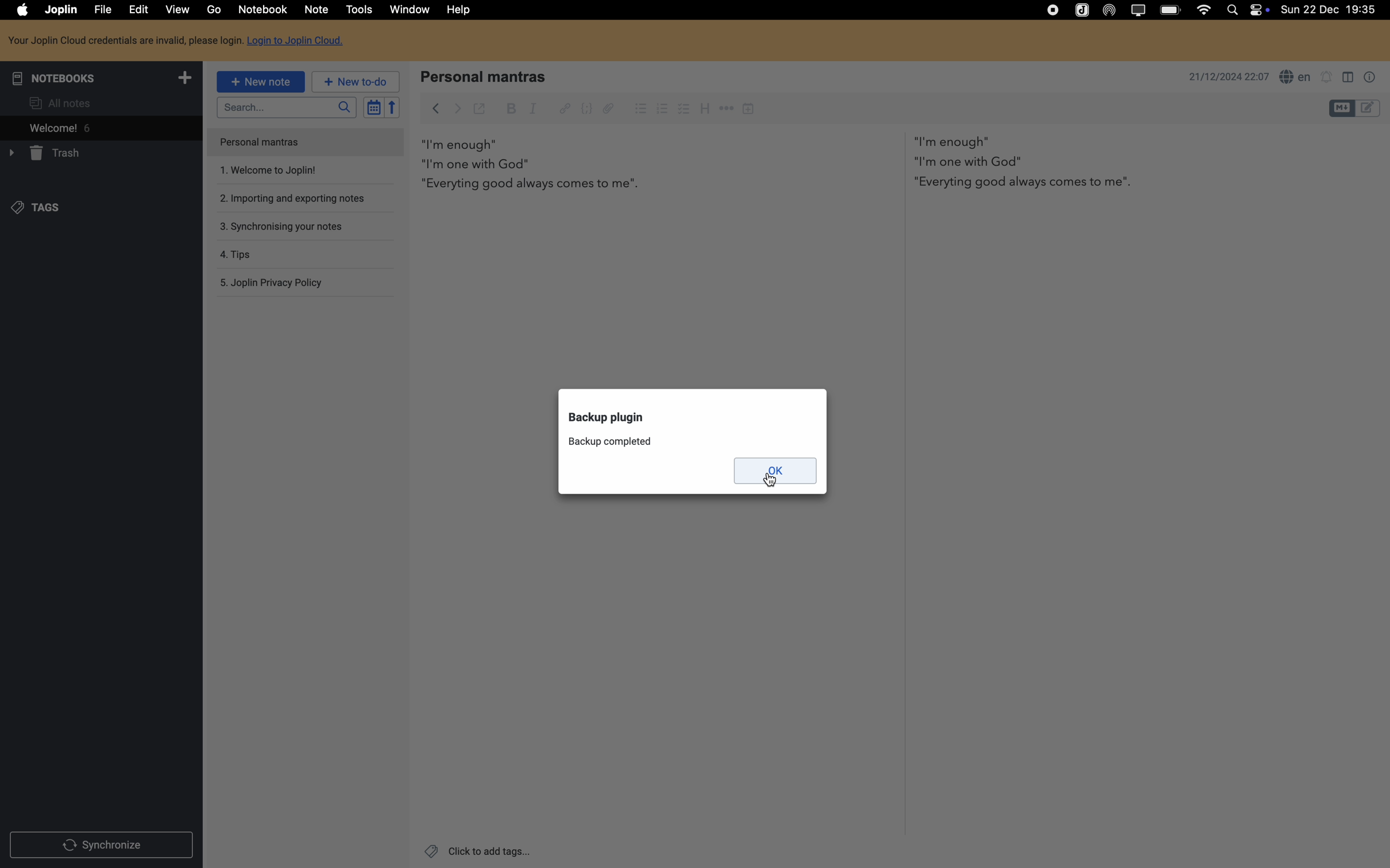  Describe the element at coordinates (607, 416) in the screenshot. I see `backup plugin` at that location.